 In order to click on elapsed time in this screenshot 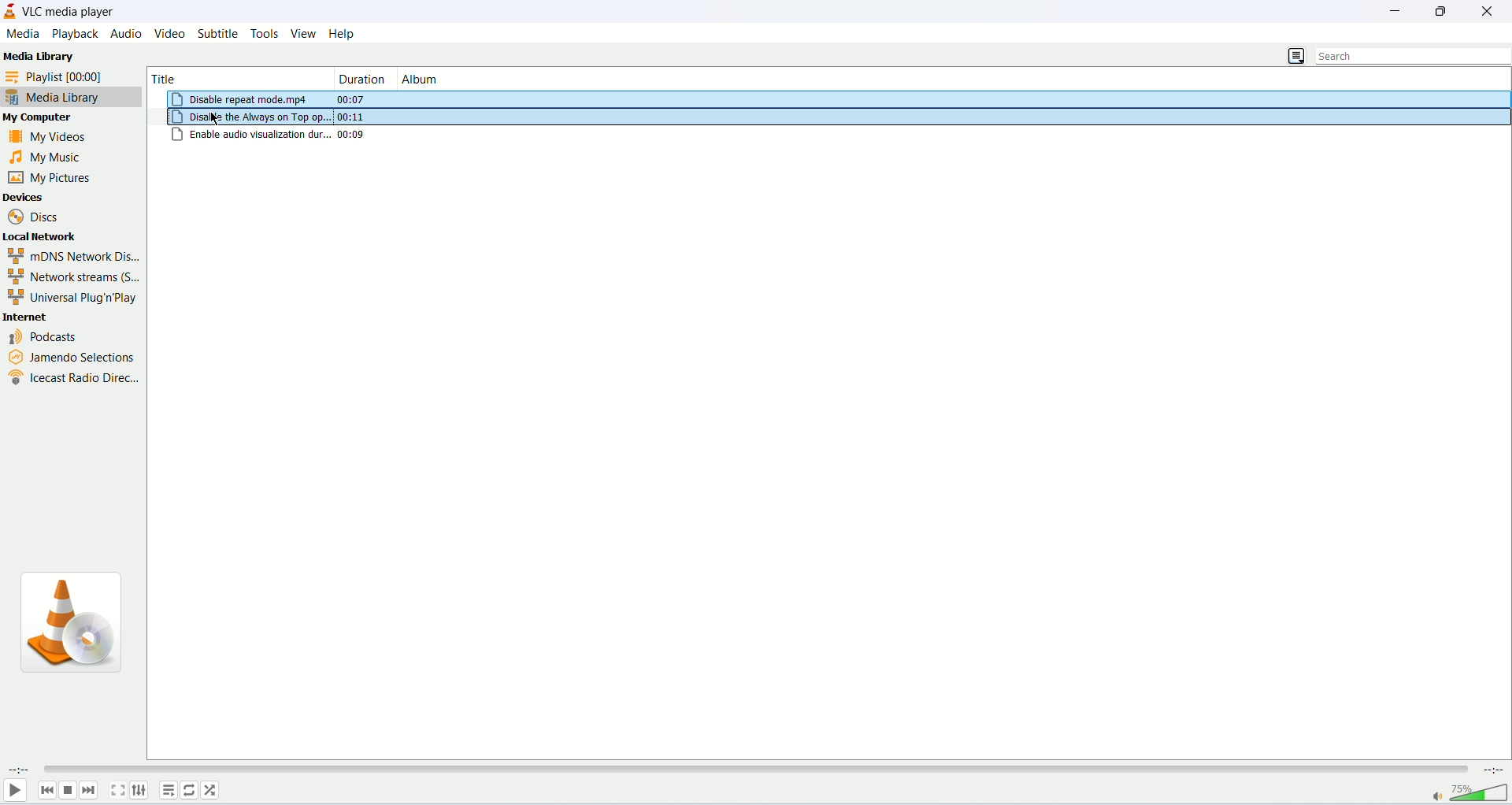, I will do `click(19, 769)`.